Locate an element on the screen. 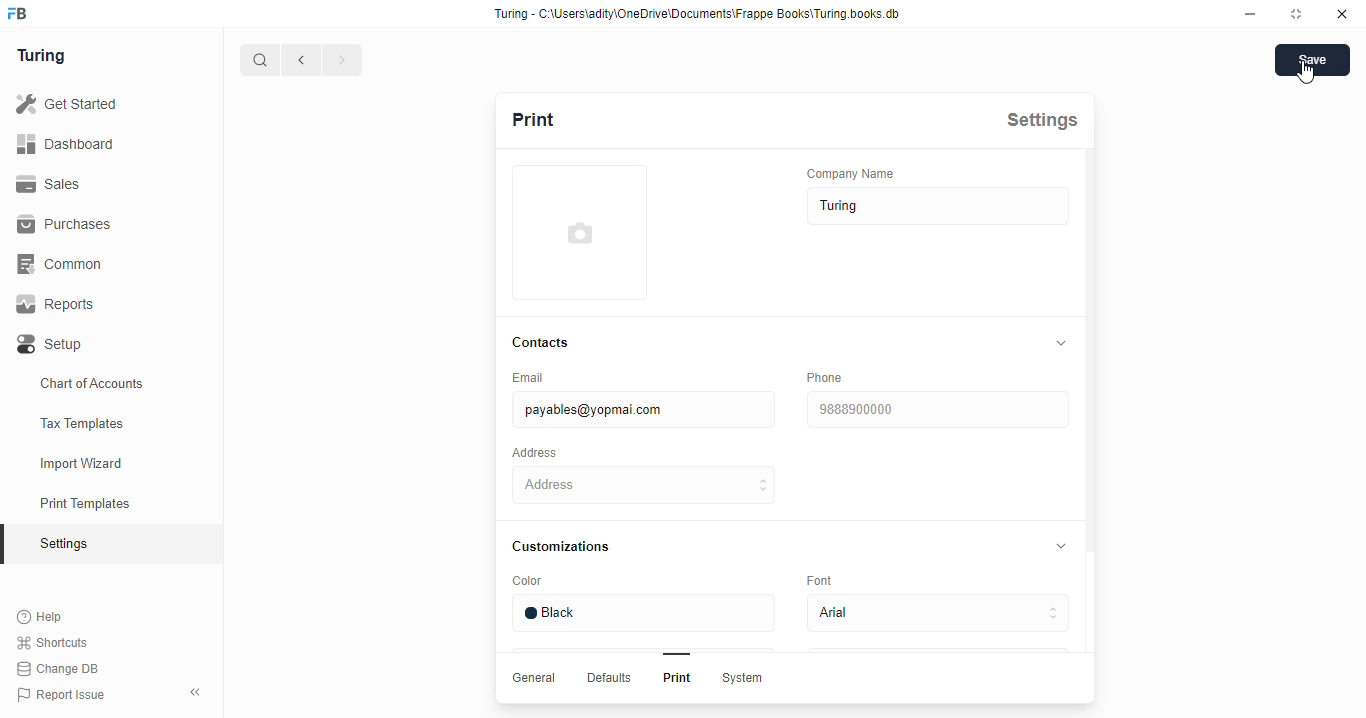 The image size is (1366, 718). Settings is located at coordinates (1049, 119).